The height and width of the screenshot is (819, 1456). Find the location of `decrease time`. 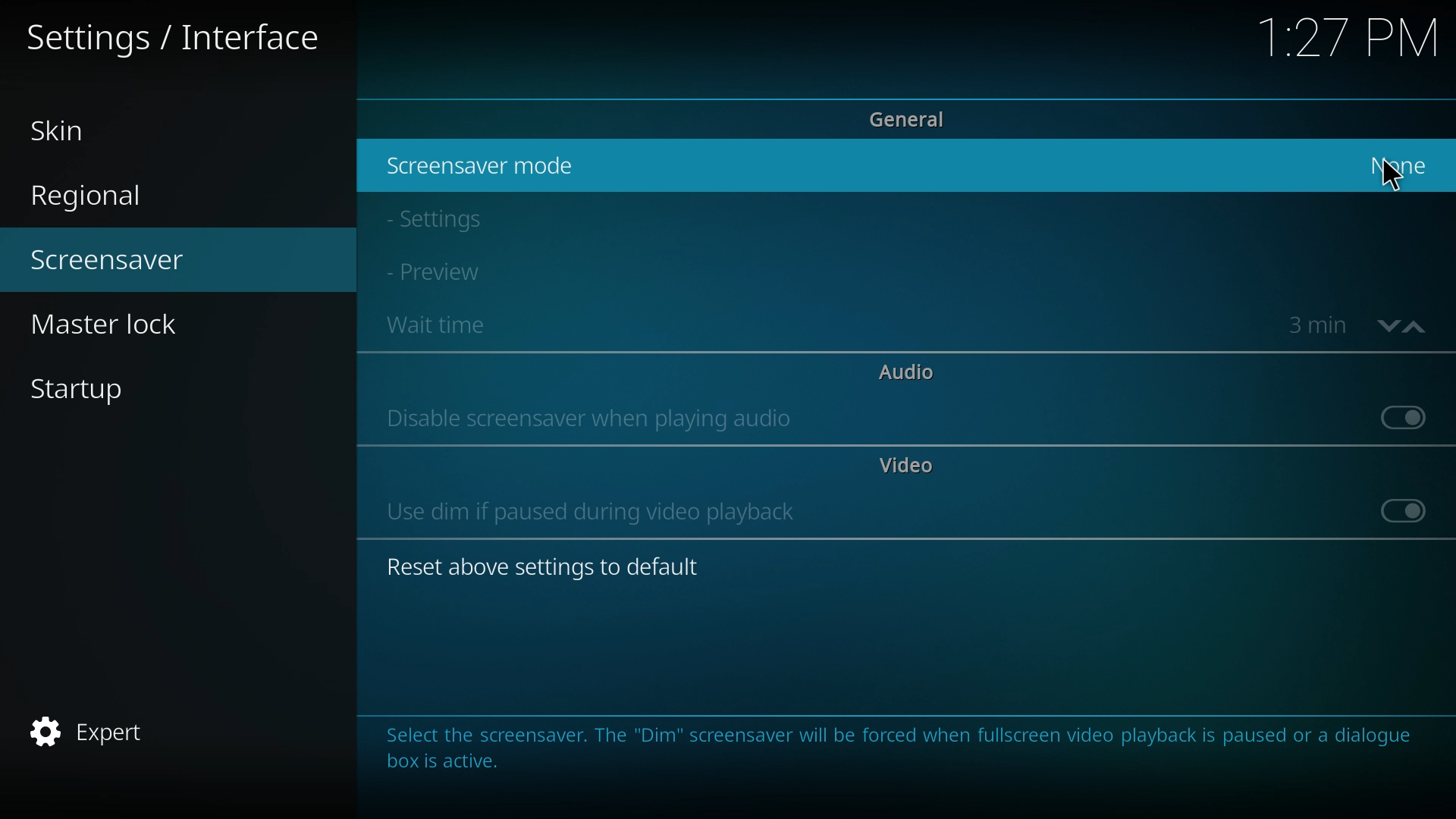

decrease time is located at coordinates (1385, 329).